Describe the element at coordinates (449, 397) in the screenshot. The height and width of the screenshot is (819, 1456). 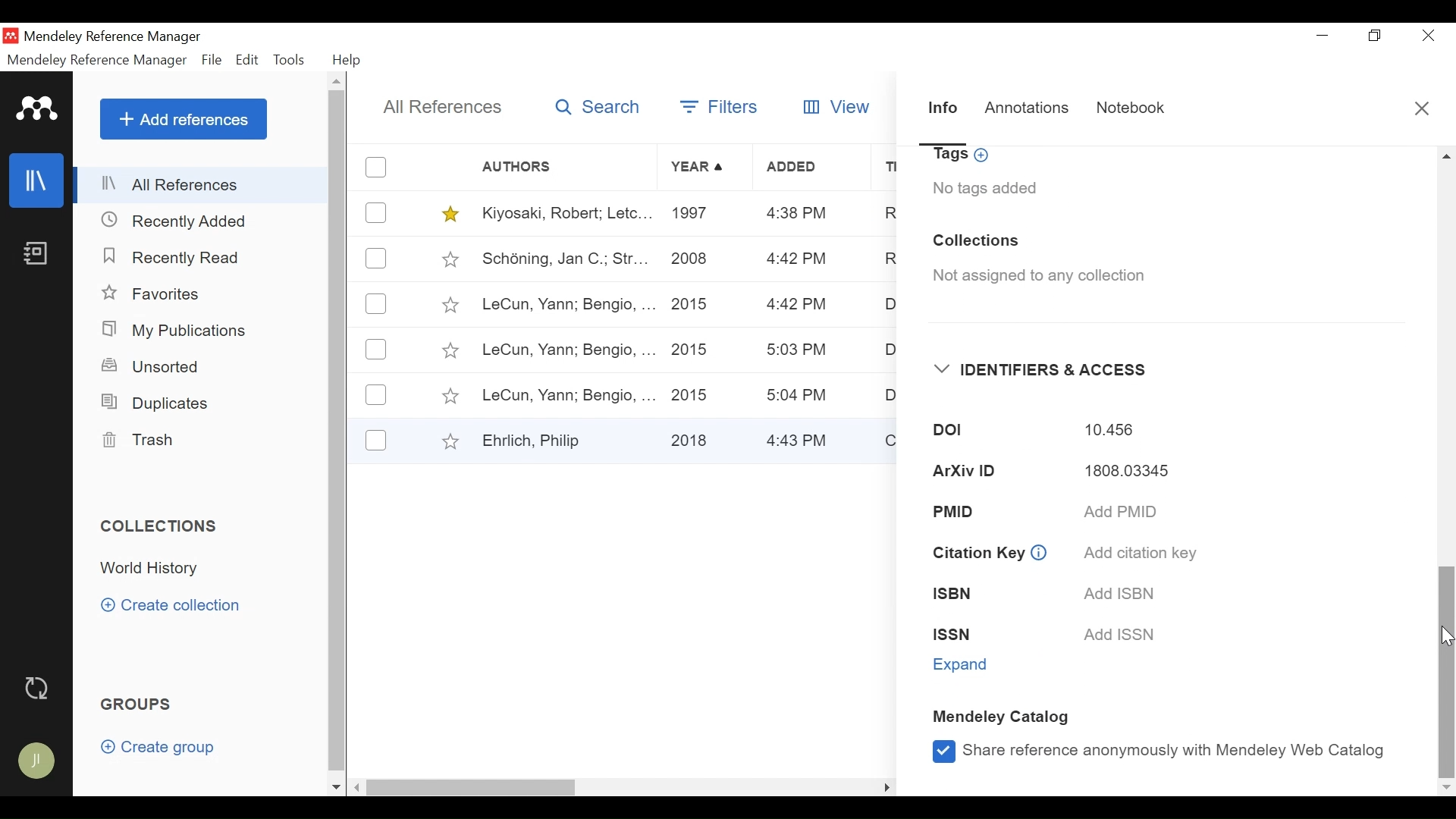
I see `(un)select favorite` at that location.